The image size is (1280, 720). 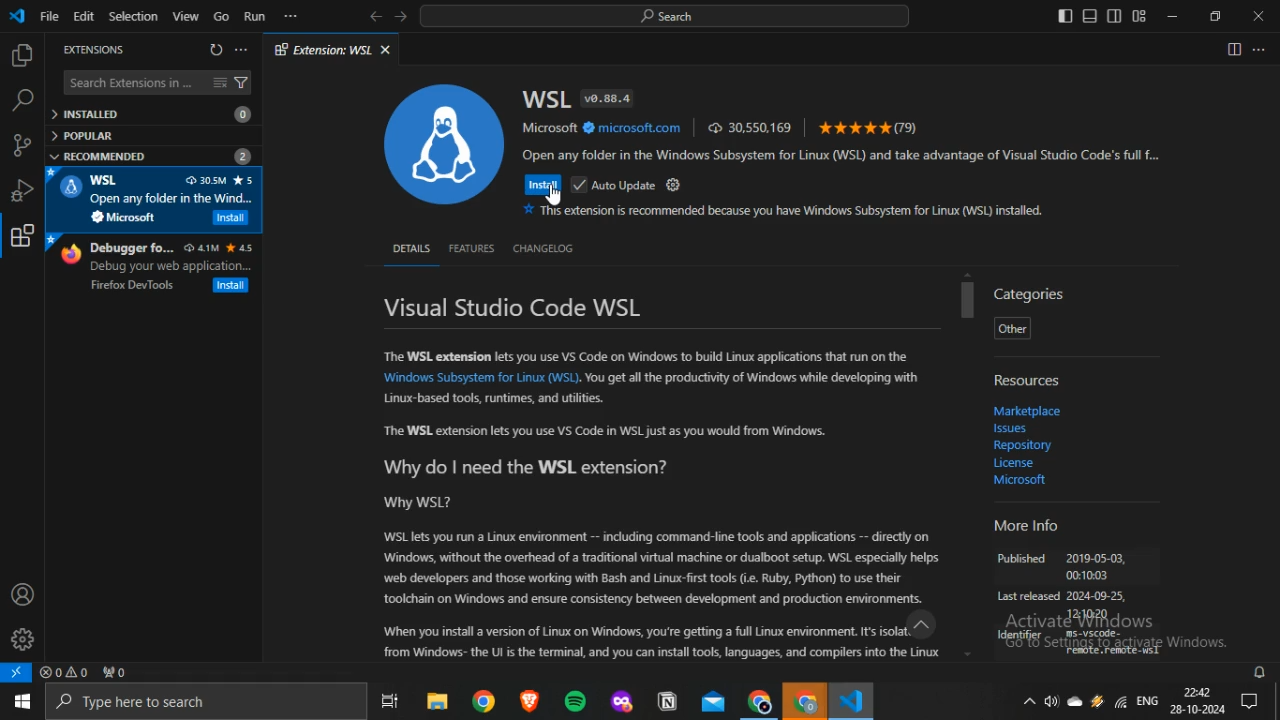 What do you see at coordinates (622, 700) in the screenshot?
I see `mozilla firefox` at bounding box center [622, 700].